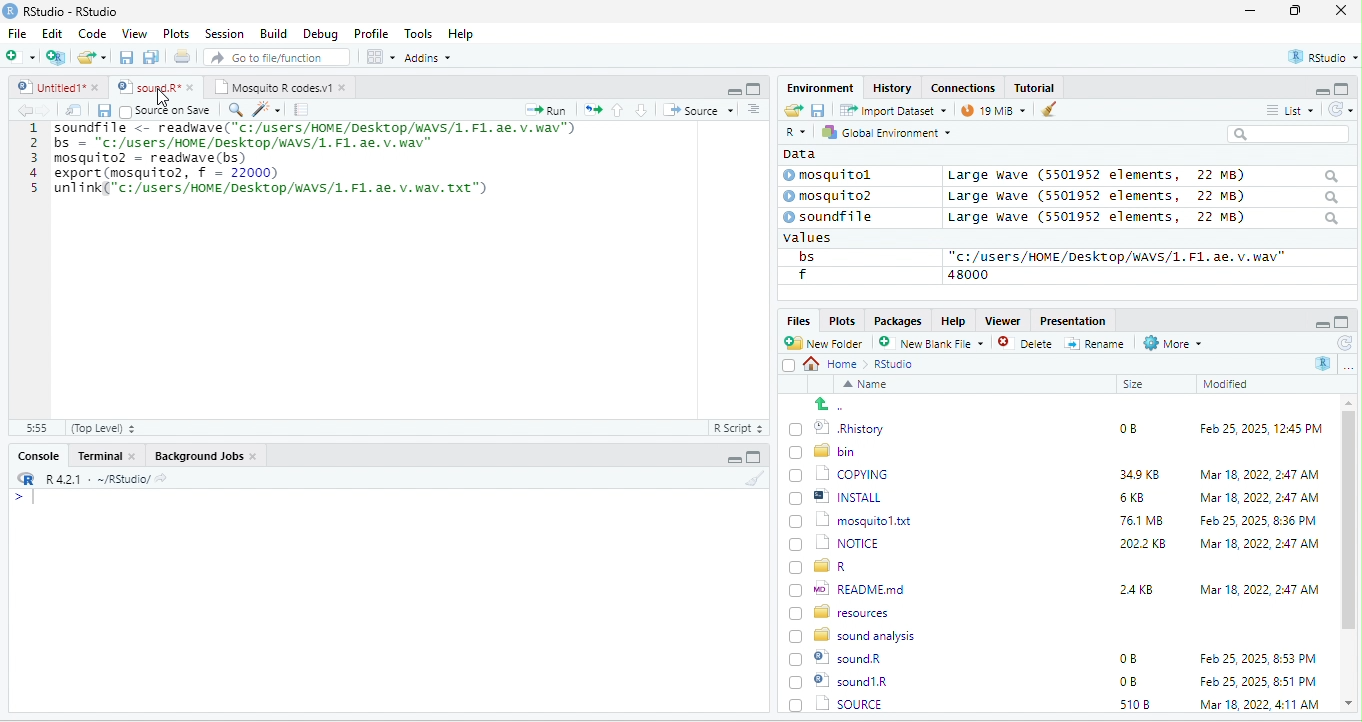 The width and height of the screenshot is (1362, 722). Describe the element at coordinates (753, 457) in the screenshot. I see `maximize` at that location.